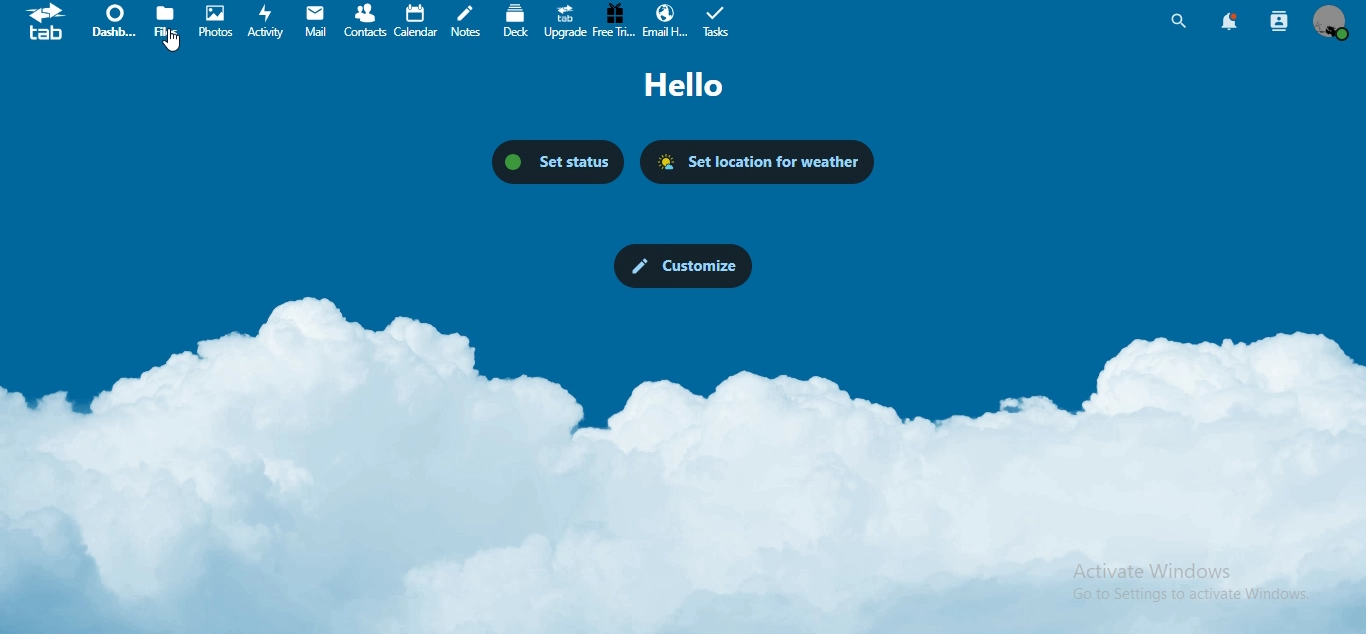 Image resolution: width=1366 pixels, height=634 pixels. I want to click on mail, so click(317, 20).